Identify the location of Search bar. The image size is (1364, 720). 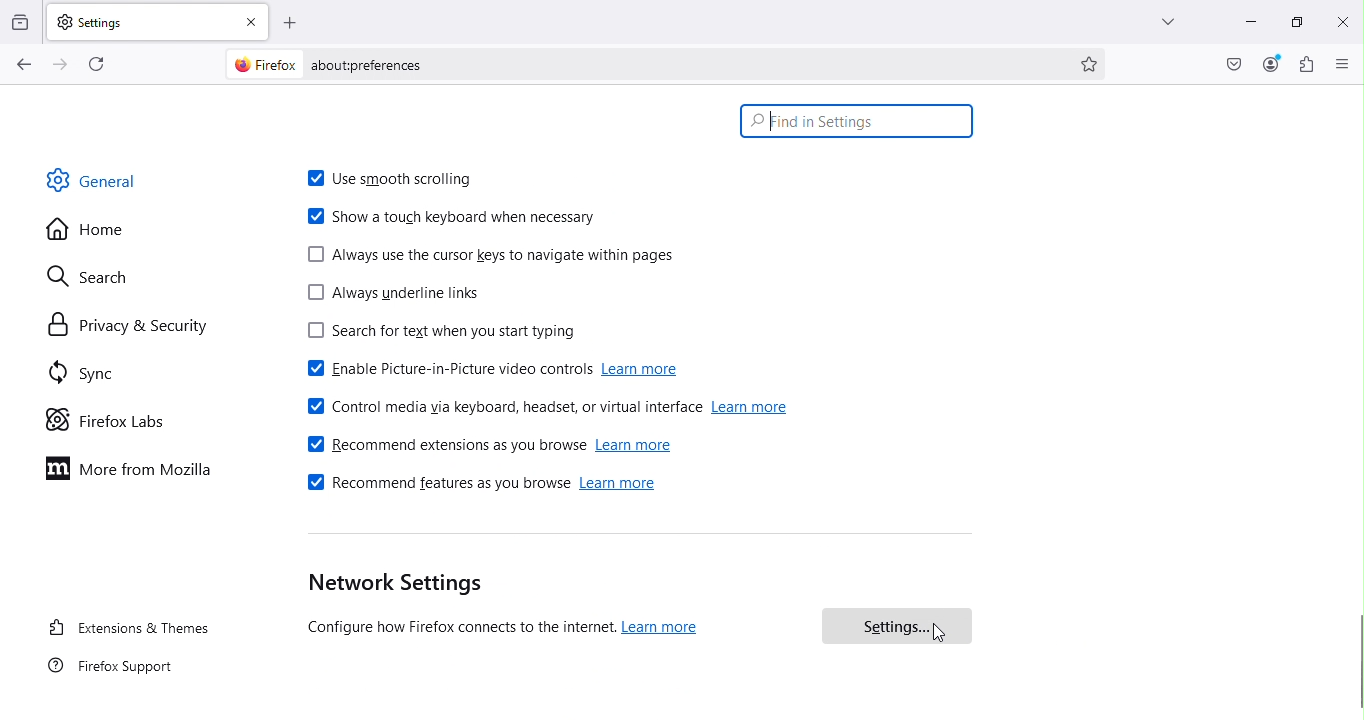
(857, 119).